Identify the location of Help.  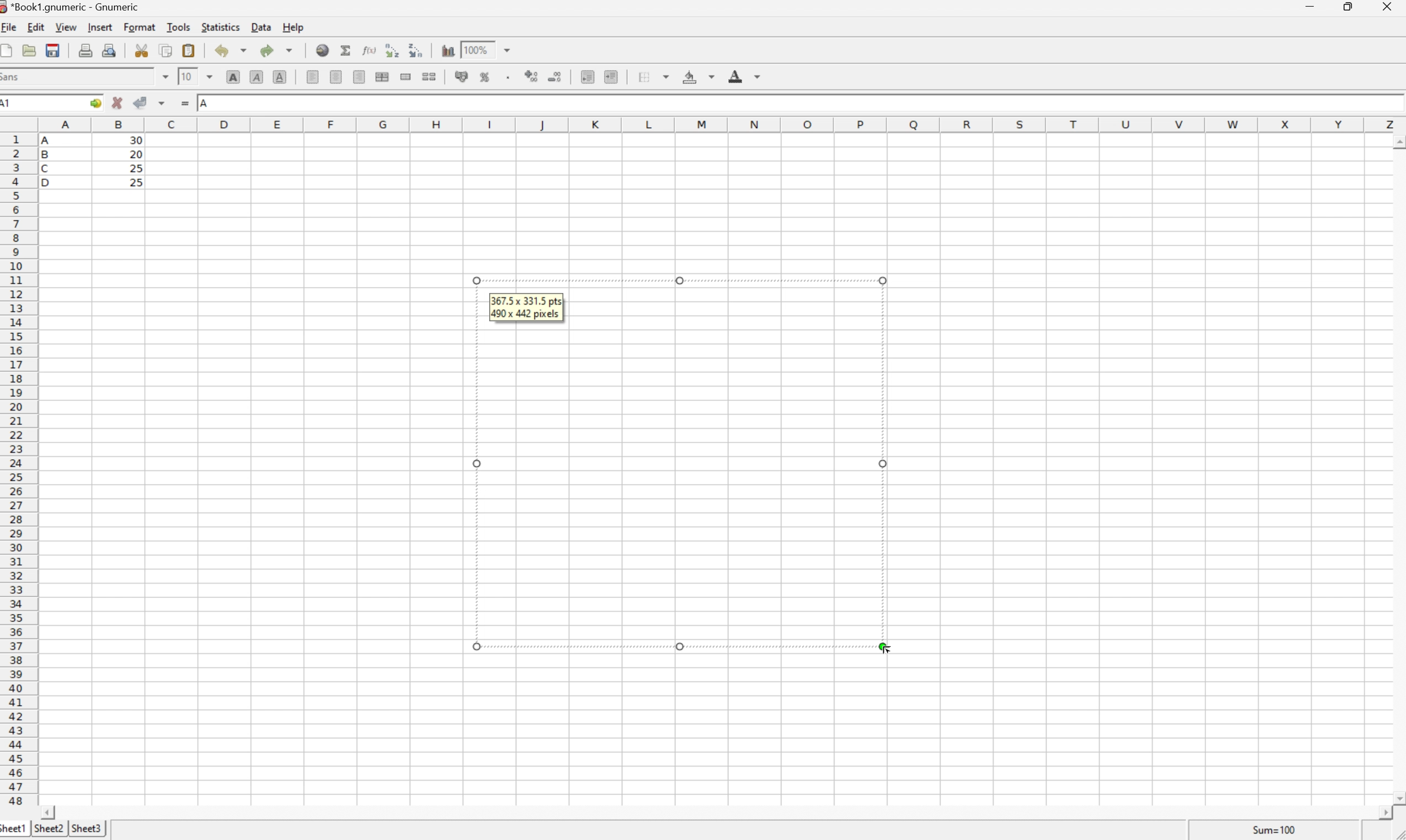
(294, 27).